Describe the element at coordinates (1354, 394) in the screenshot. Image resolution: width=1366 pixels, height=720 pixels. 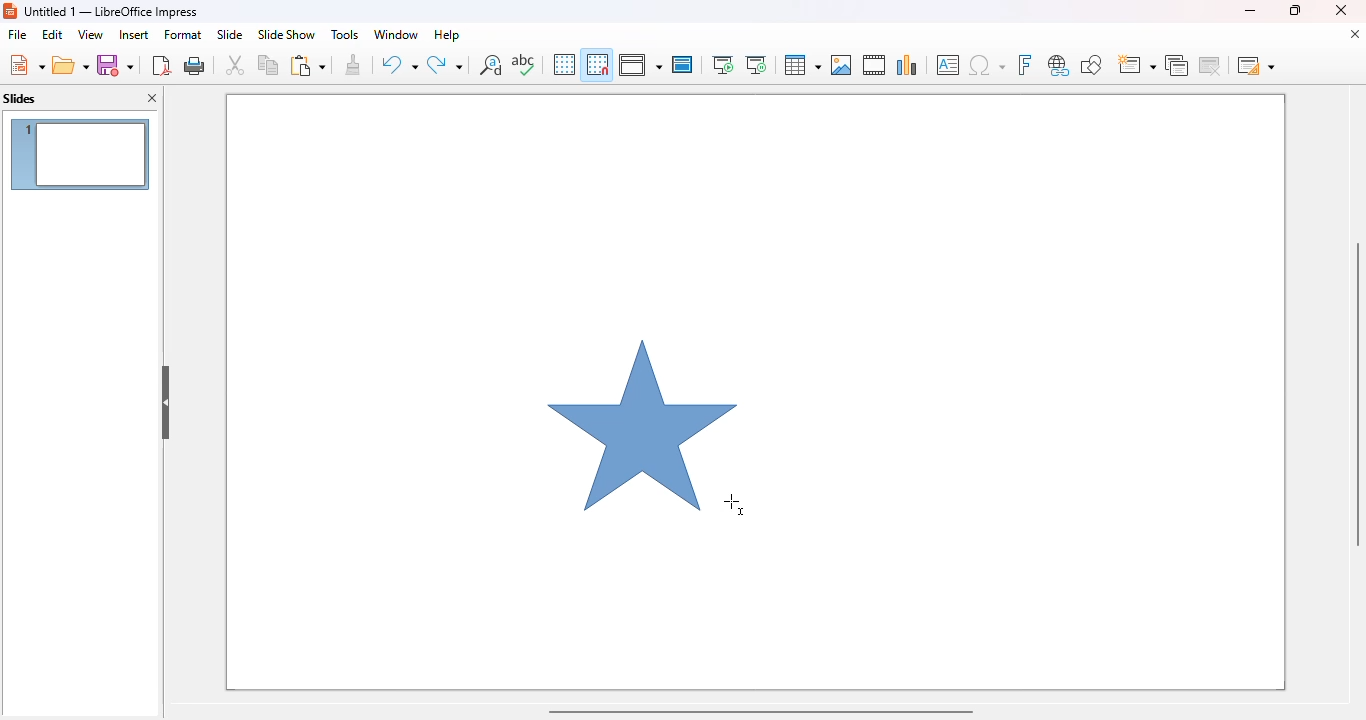
I see `vertical scroll bar` at that location.